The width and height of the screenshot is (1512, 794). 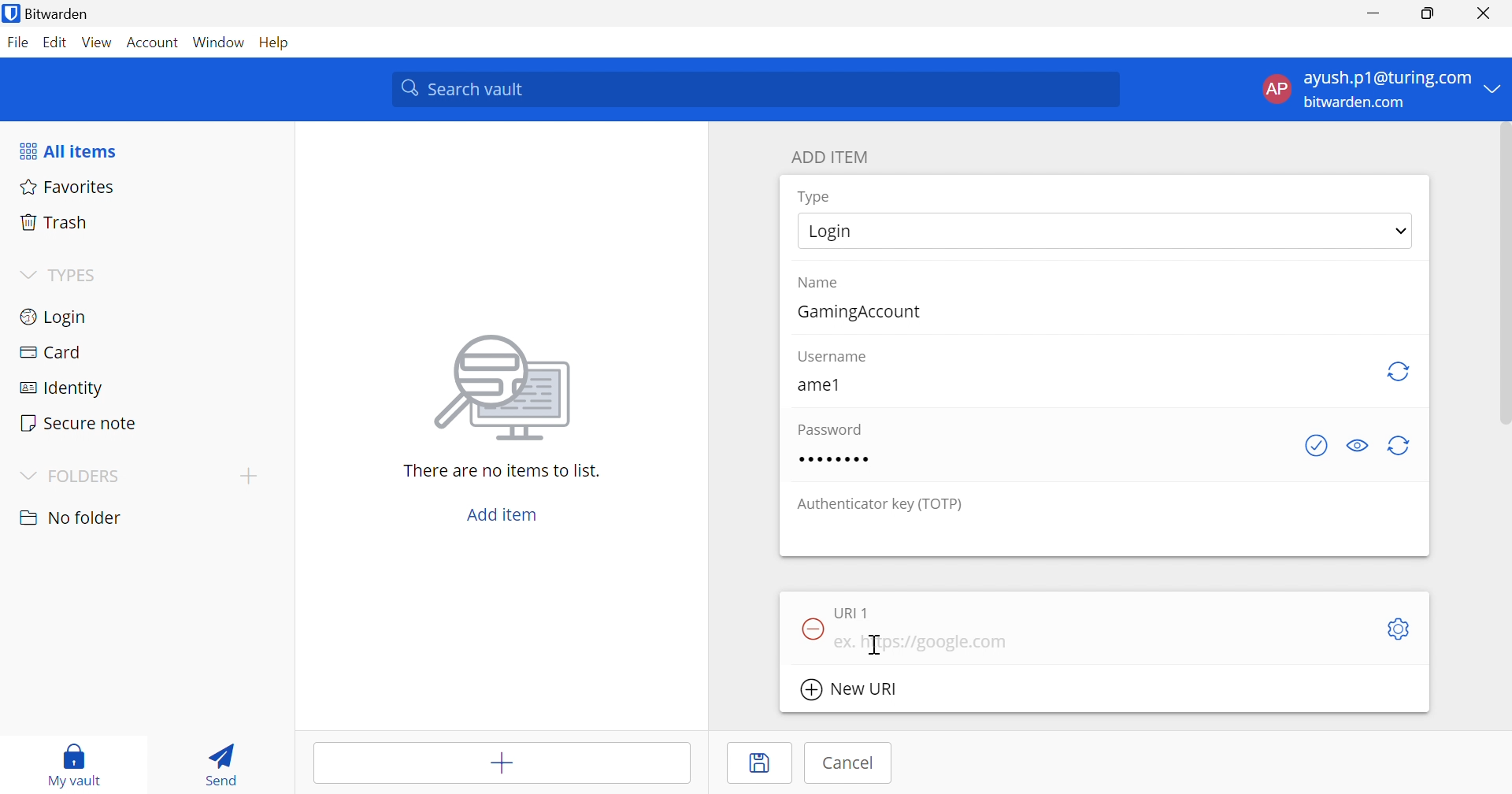 What do you see at coordinates (77, 274) in the screenshot?
I see `TYPES` at bounding box center [77, 274].